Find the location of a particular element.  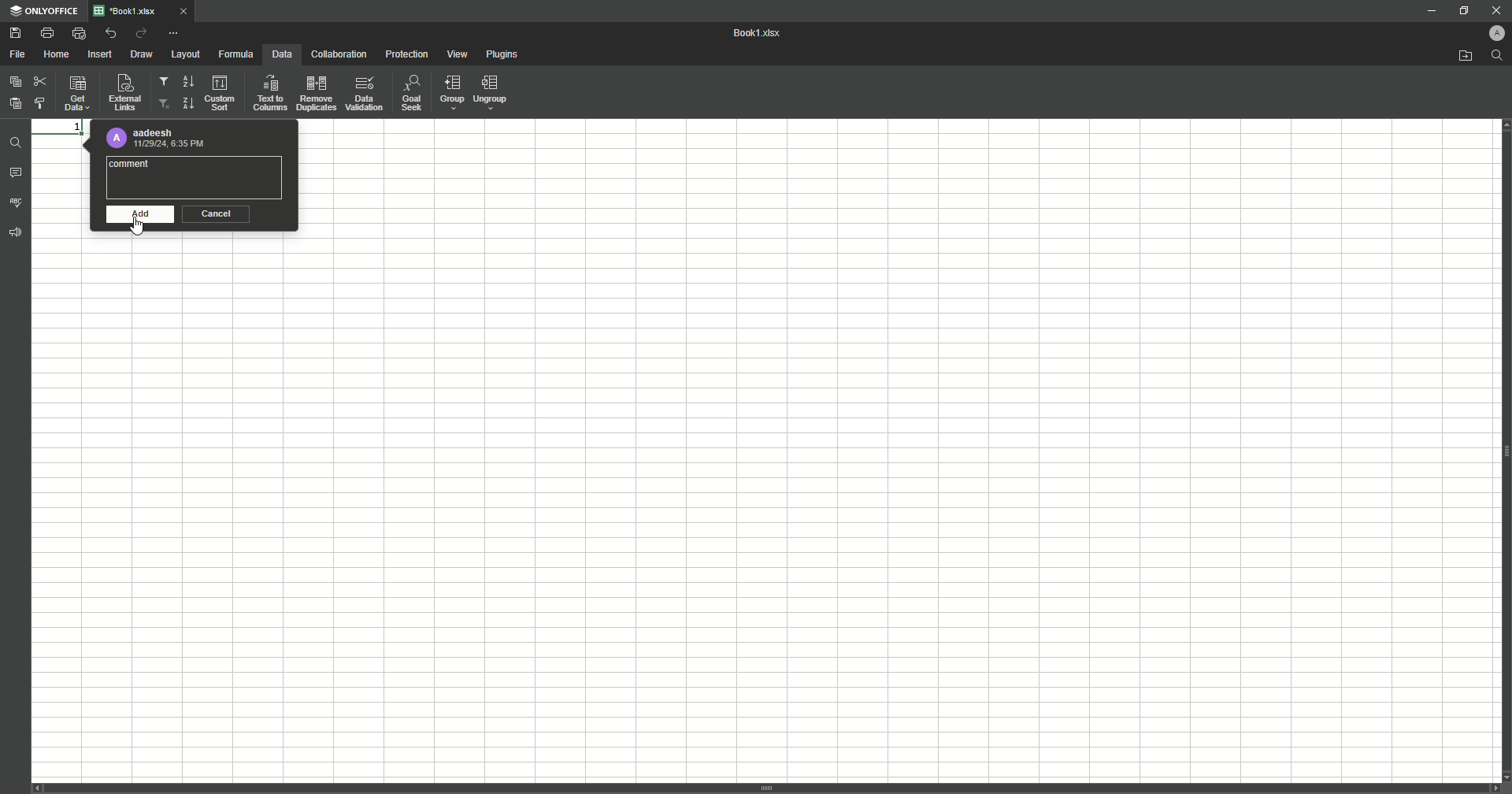

Book1 is located at coordinates (762, 34).